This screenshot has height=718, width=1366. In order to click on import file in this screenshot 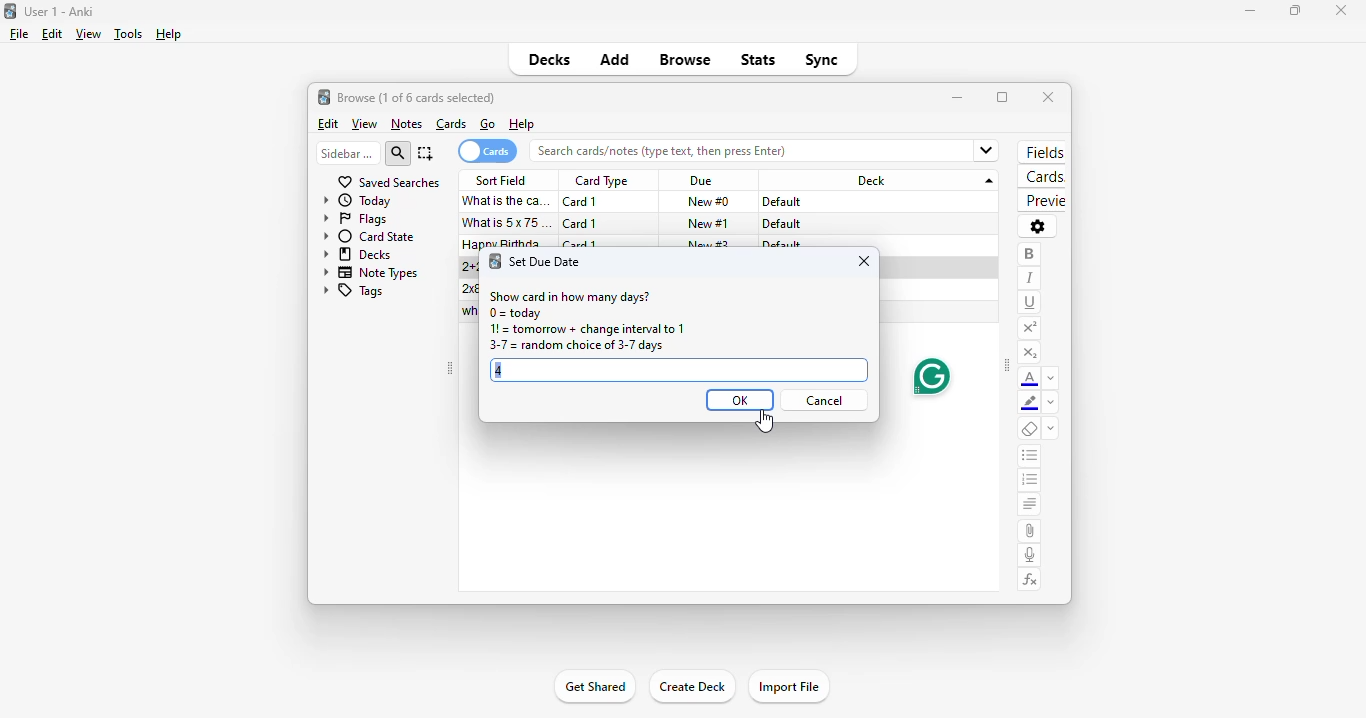, I will do `click(789, 686)`.